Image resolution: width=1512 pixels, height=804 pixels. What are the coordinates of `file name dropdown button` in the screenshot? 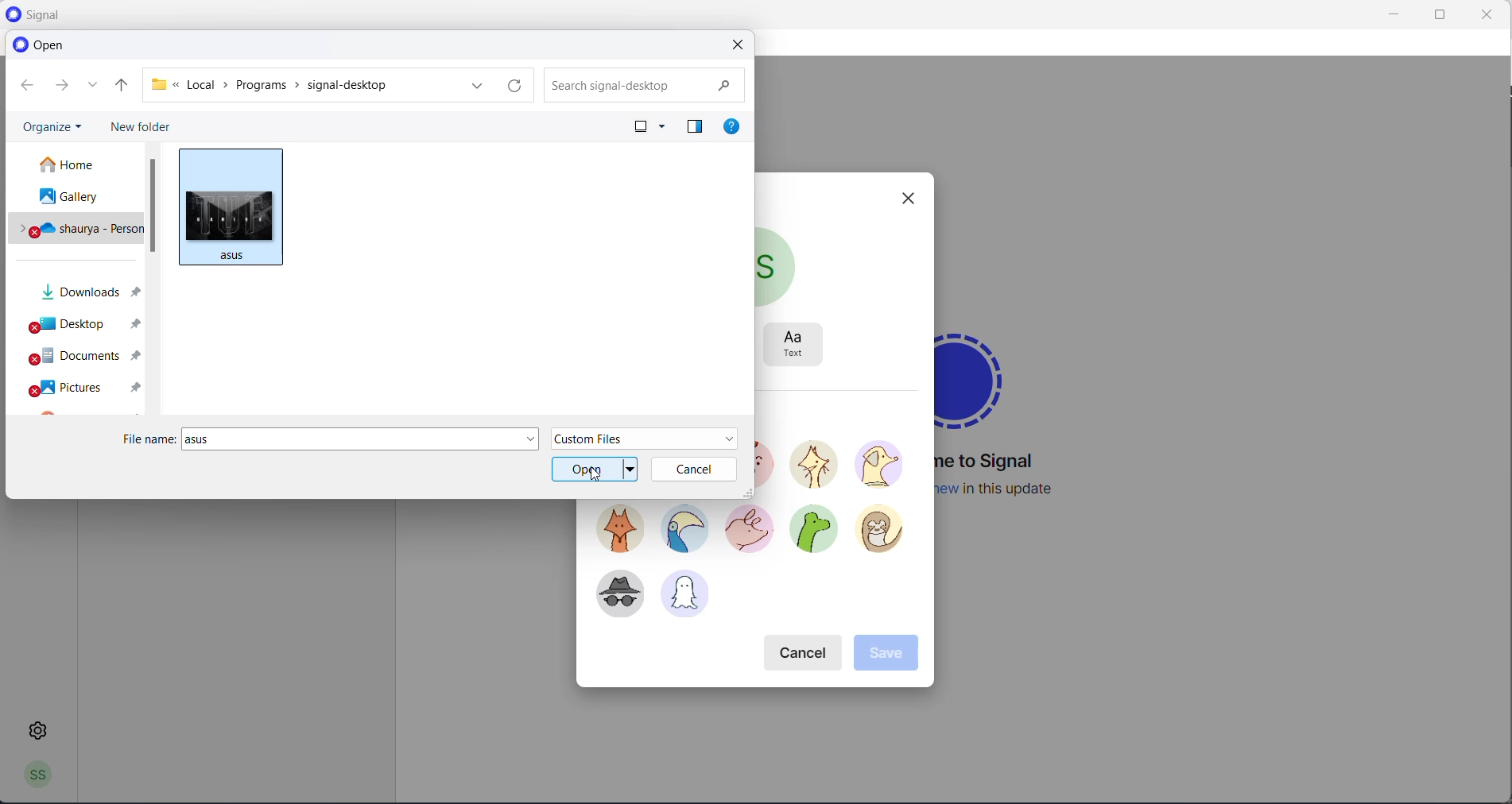 It's located at (531, 439).